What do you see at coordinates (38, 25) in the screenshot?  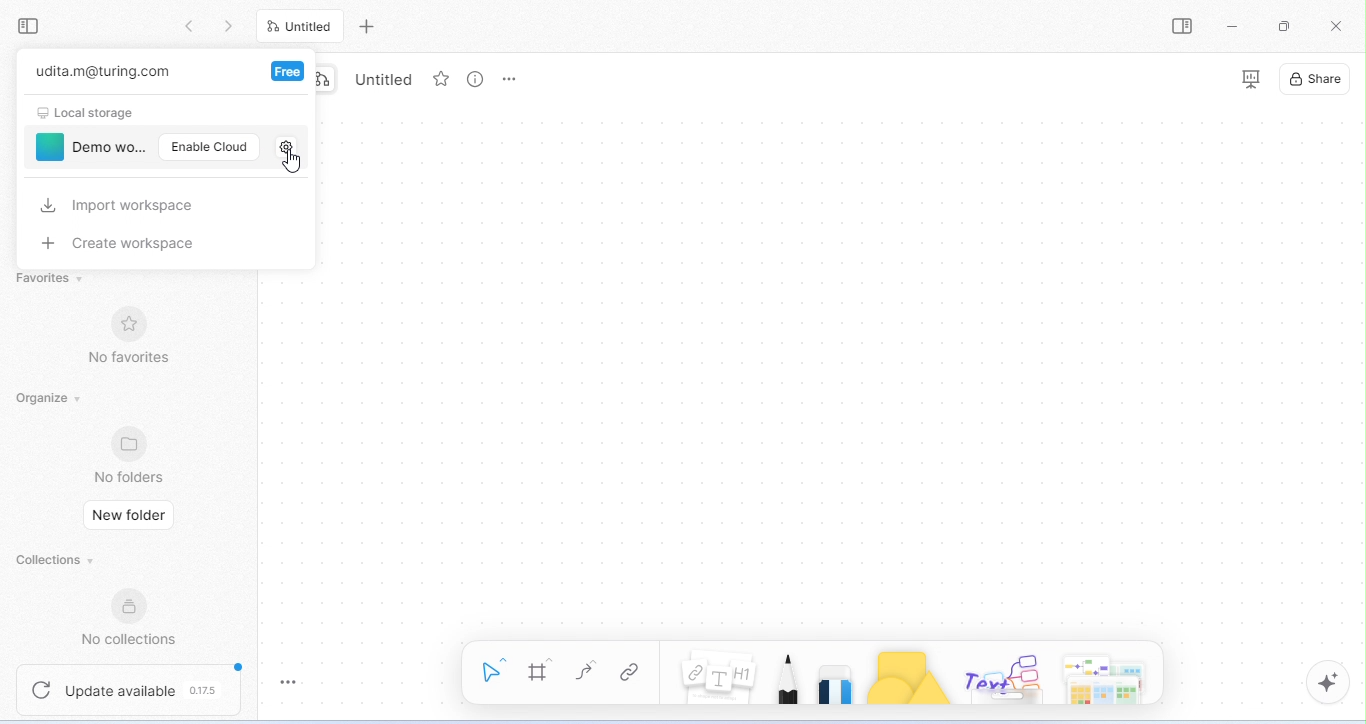 I see `collapse side bar` at bounding box center [38, 25].